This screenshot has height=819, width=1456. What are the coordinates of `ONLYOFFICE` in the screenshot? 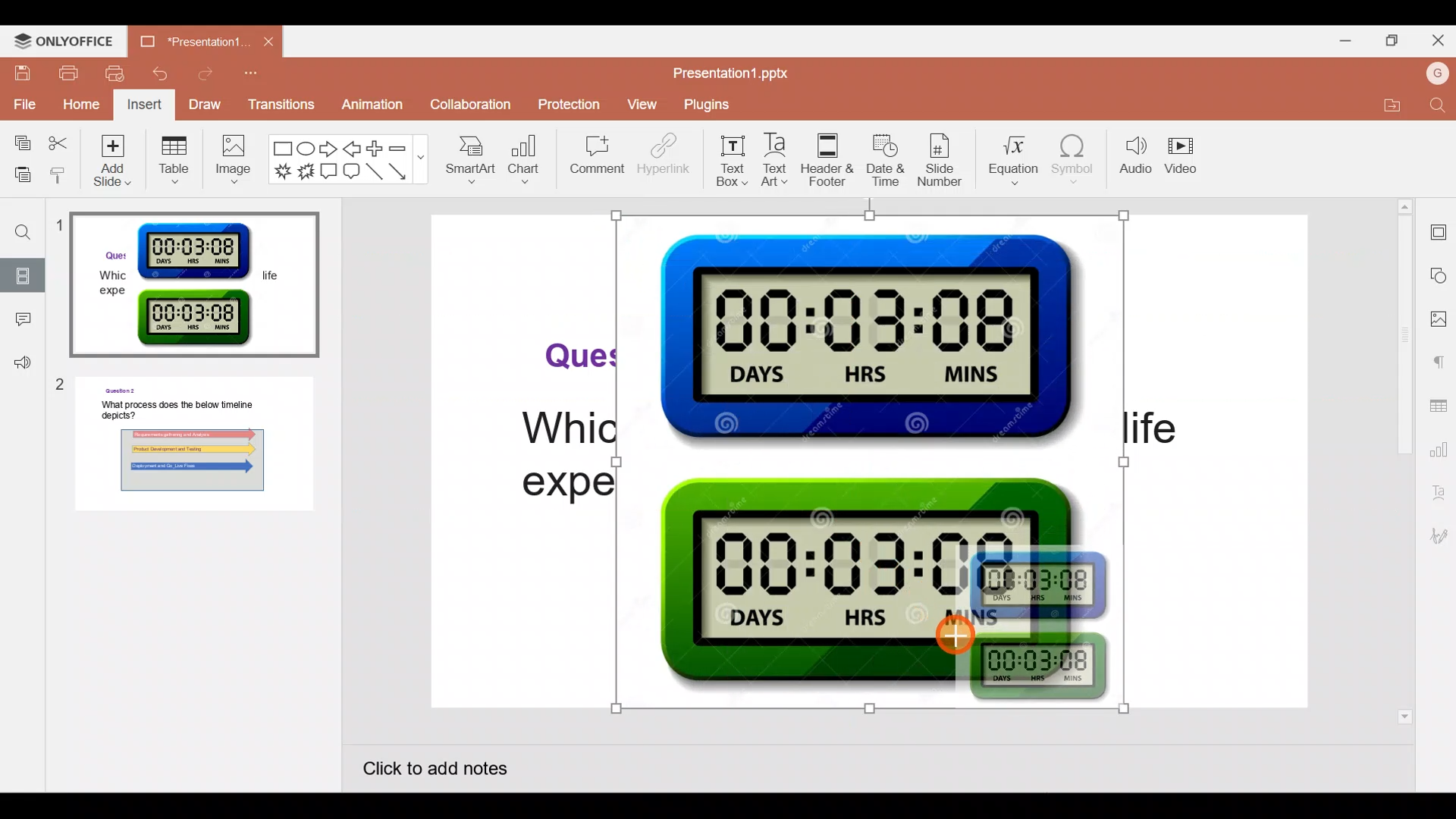 It's located at (72, 42).